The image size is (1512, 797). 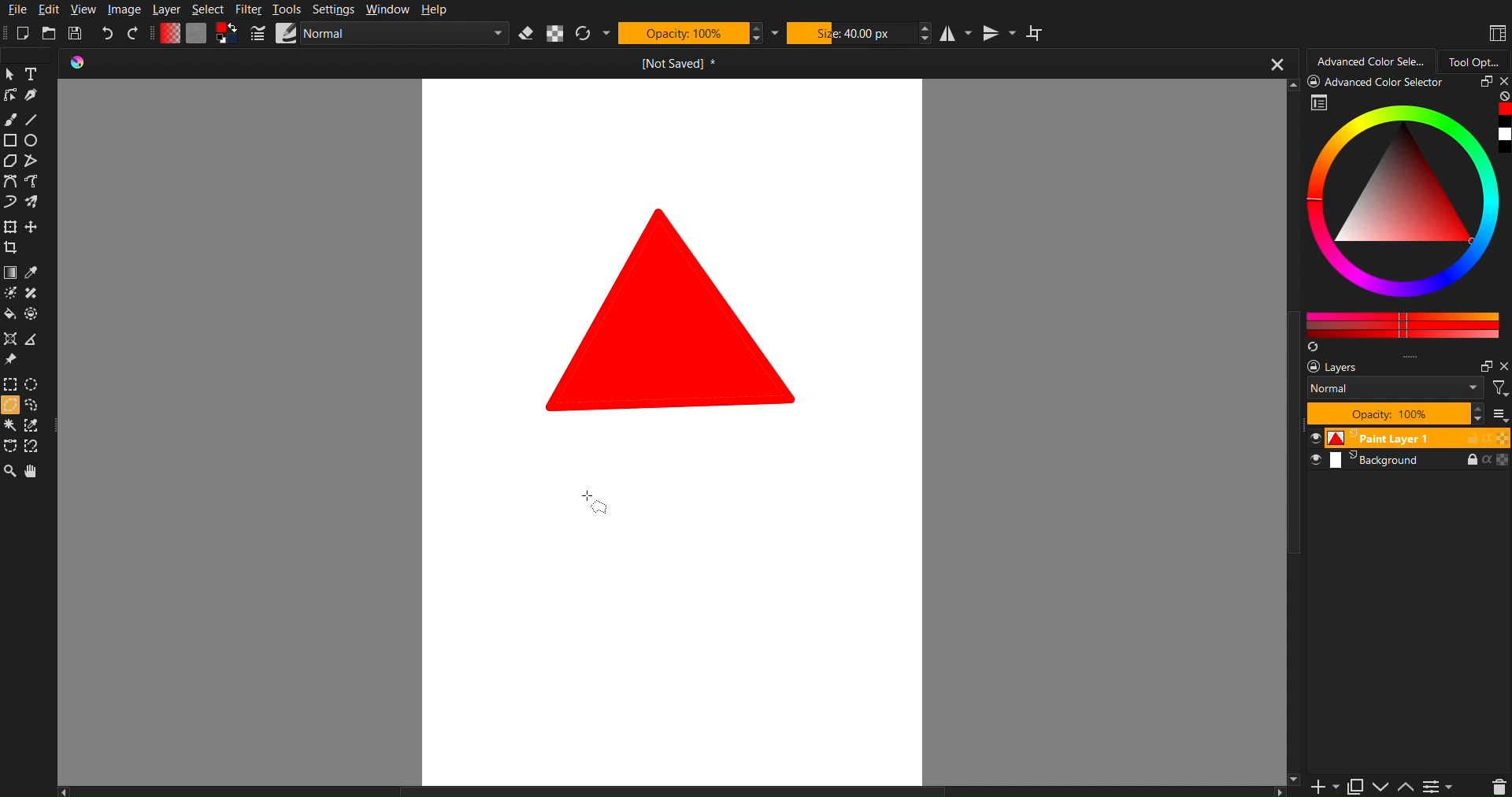 I want to click on Tool Options, so click(x=1479, y=60).